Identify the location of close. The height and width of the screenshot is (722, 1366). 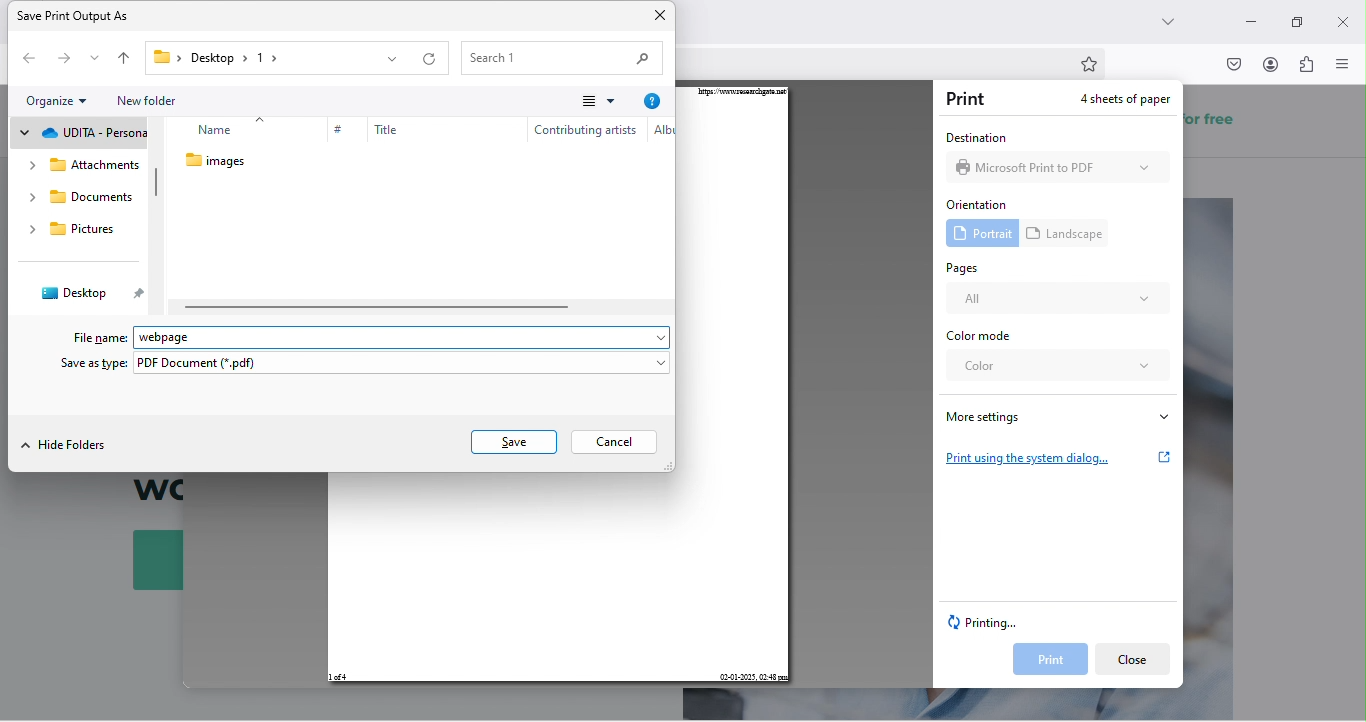
(1343, 17).